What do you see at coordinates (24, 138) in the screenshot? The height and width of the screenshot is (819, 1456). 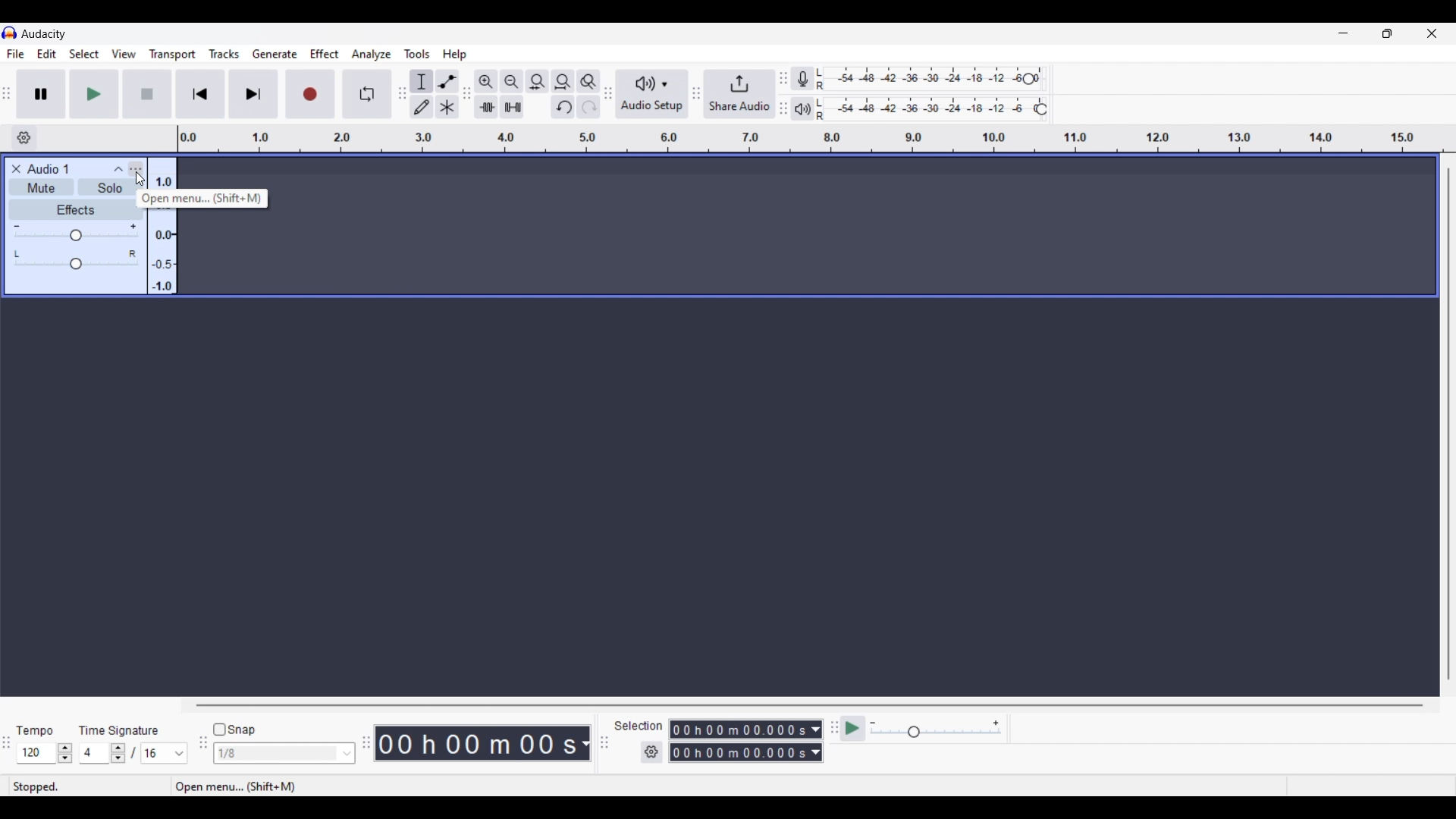 I see `Timeline options` at bounding box center [24, 138].